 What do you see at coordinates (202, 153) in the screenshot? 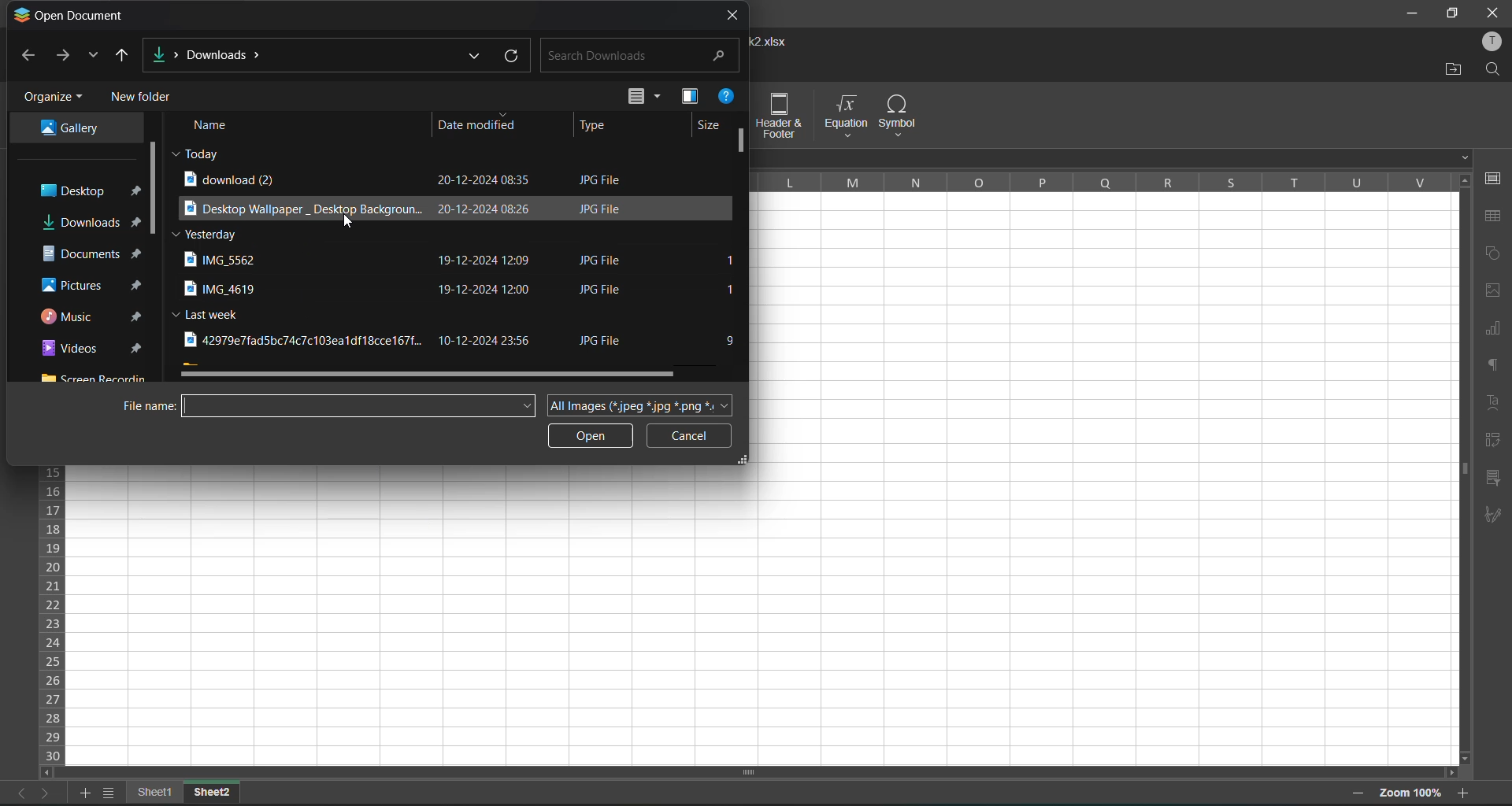
I see `today` at bounding box center [202, 153].